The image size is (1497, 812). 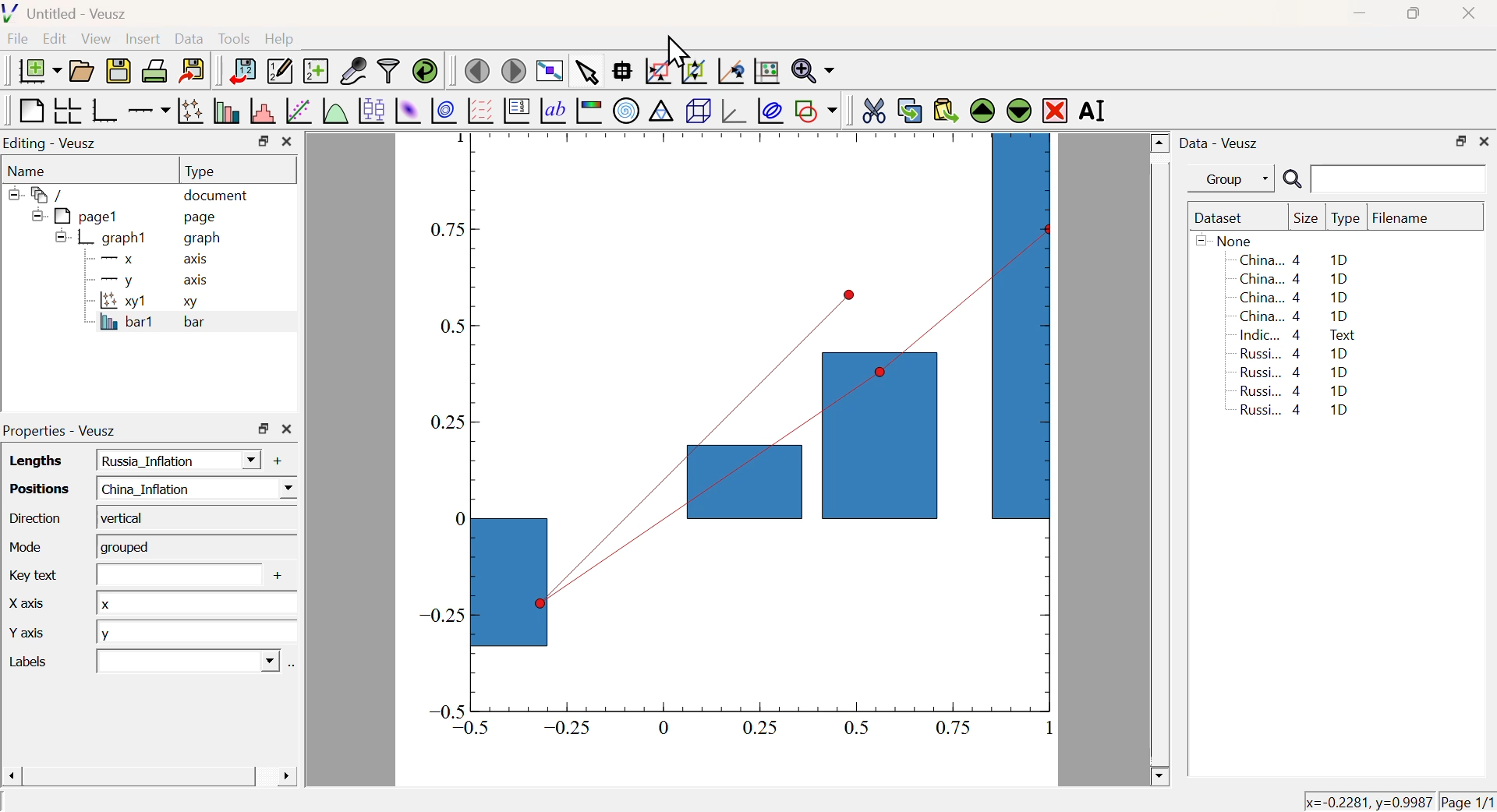 I want to click on X axis, so click(x=147, y=259).